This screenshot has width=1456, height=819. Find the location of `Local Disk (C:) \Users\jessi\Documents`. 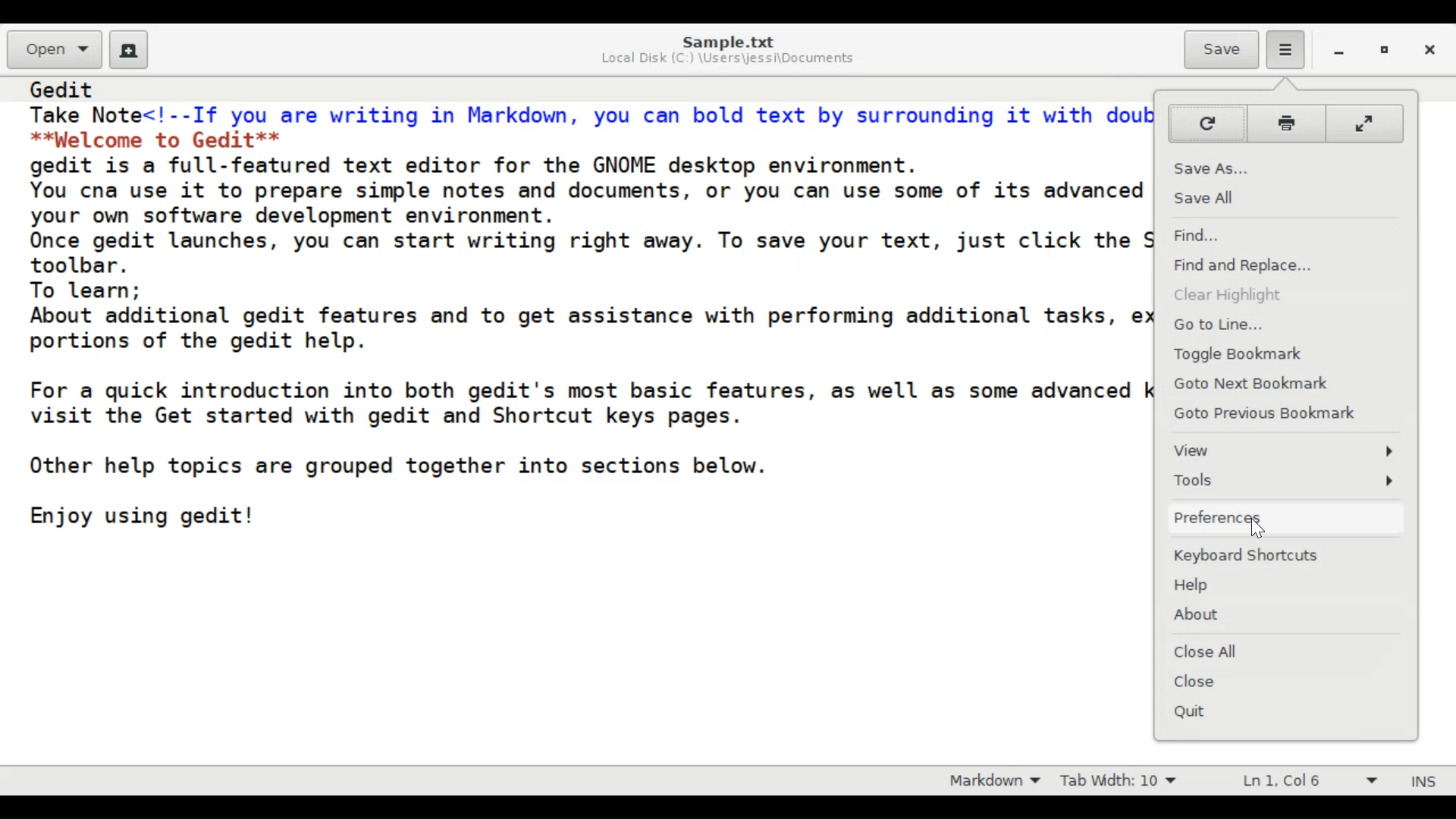

Local Disk (C:) \Users\jessi\Documents is located at coordinates (728, 60).